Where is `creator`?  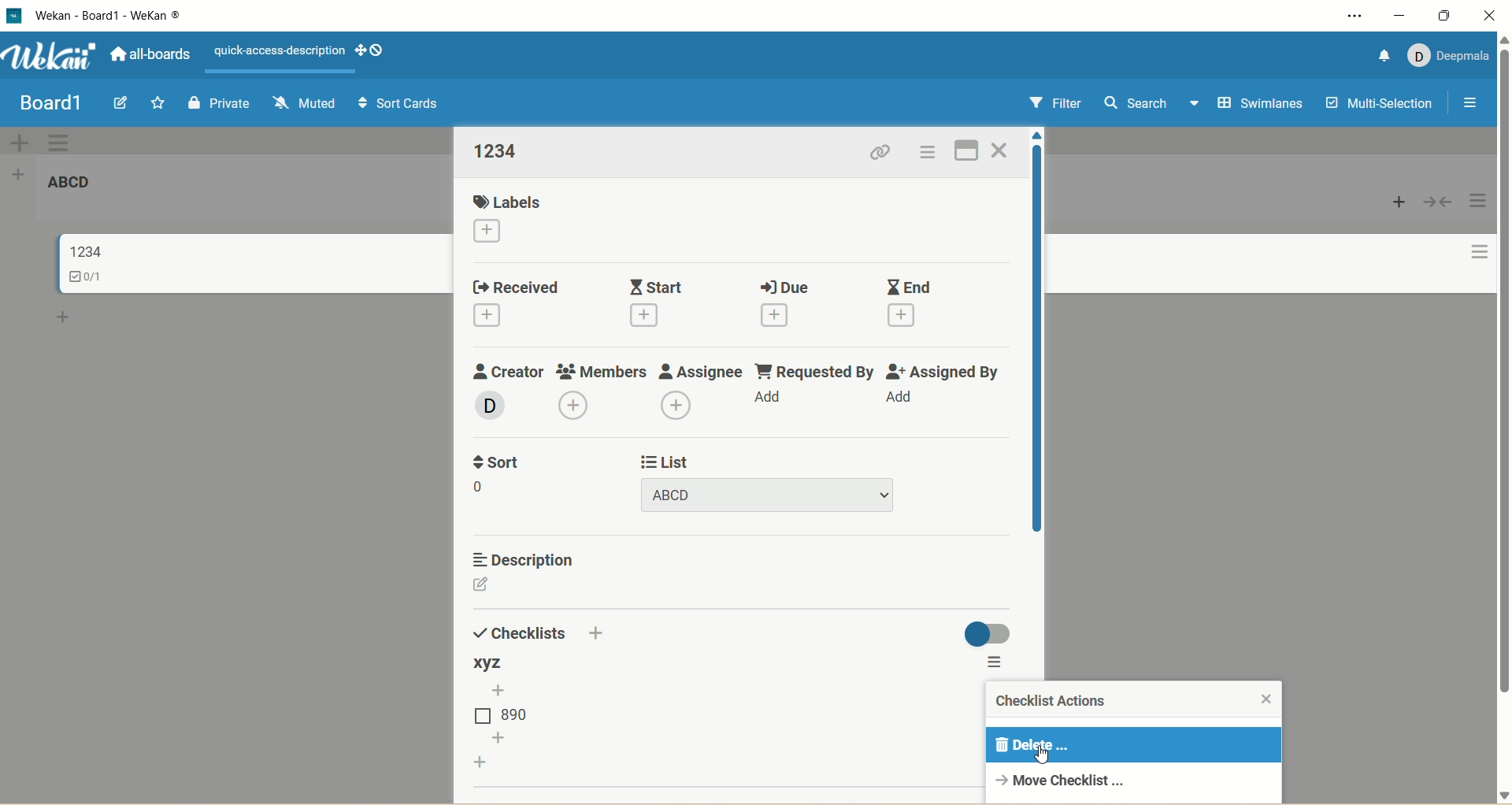 creator is located at coordinates (509, 371).